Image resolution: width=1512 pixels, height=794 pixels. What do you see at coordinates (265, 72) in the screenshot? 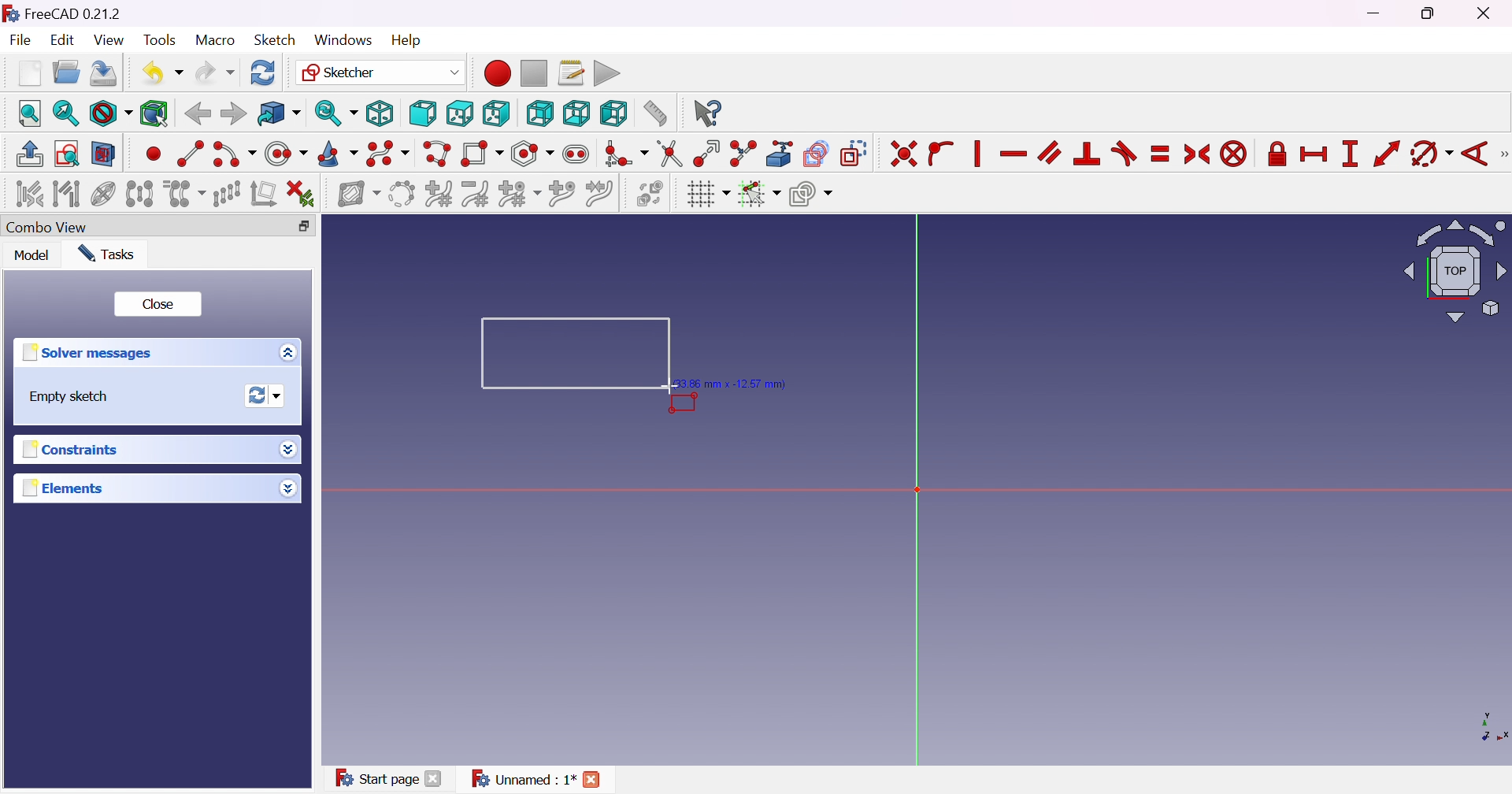
I see `Refresh` at bounding box center [265, 72].